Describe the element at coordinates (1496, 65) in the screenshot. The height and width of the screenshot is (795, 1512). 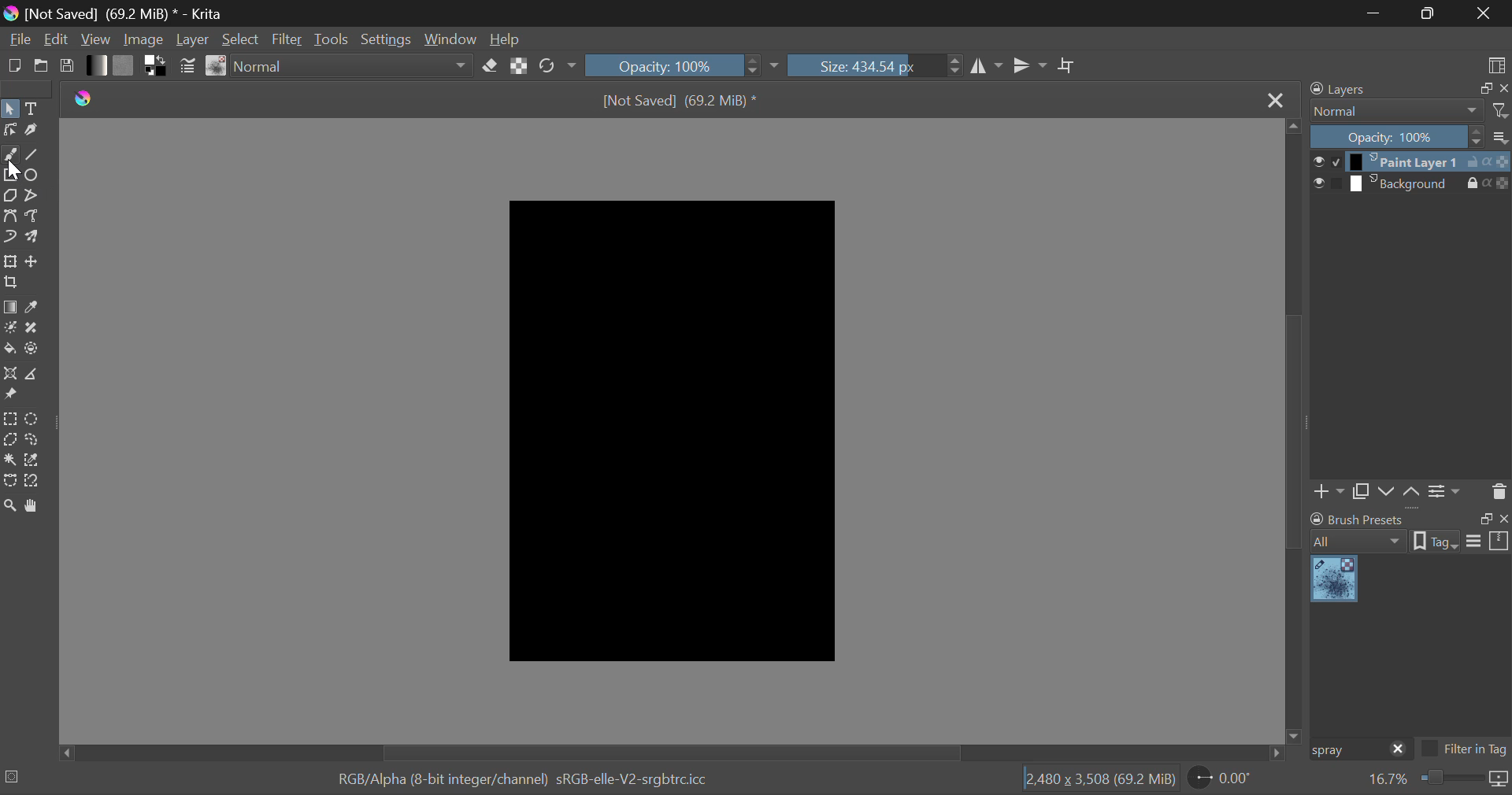
I see `Choose Workspace` at that location.